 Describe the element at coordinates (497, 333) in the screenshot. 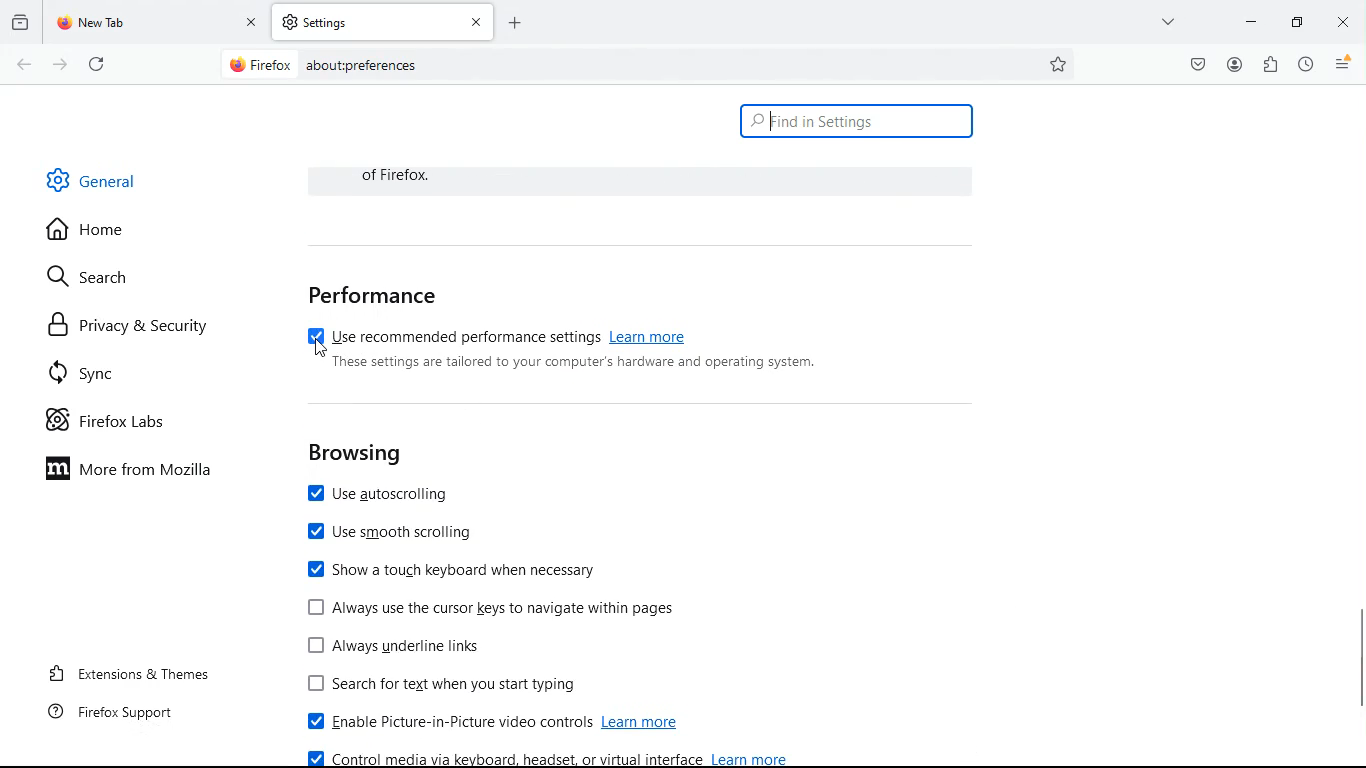

I see `use recommended performance settings` at that location.